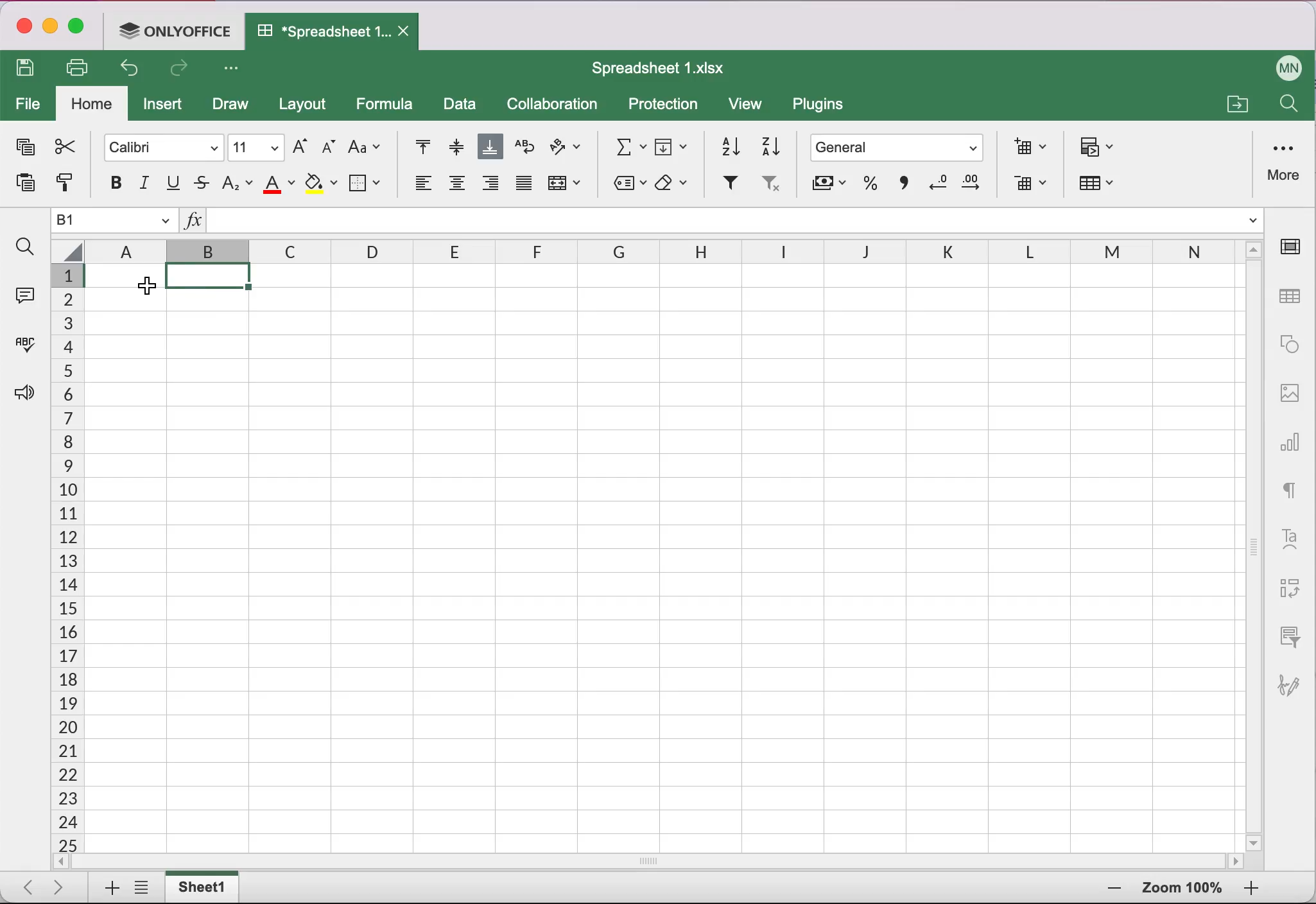 Image resolution: width=1316 pixels, height=904 pixels. I want to click on maximize, so click(81, 29).